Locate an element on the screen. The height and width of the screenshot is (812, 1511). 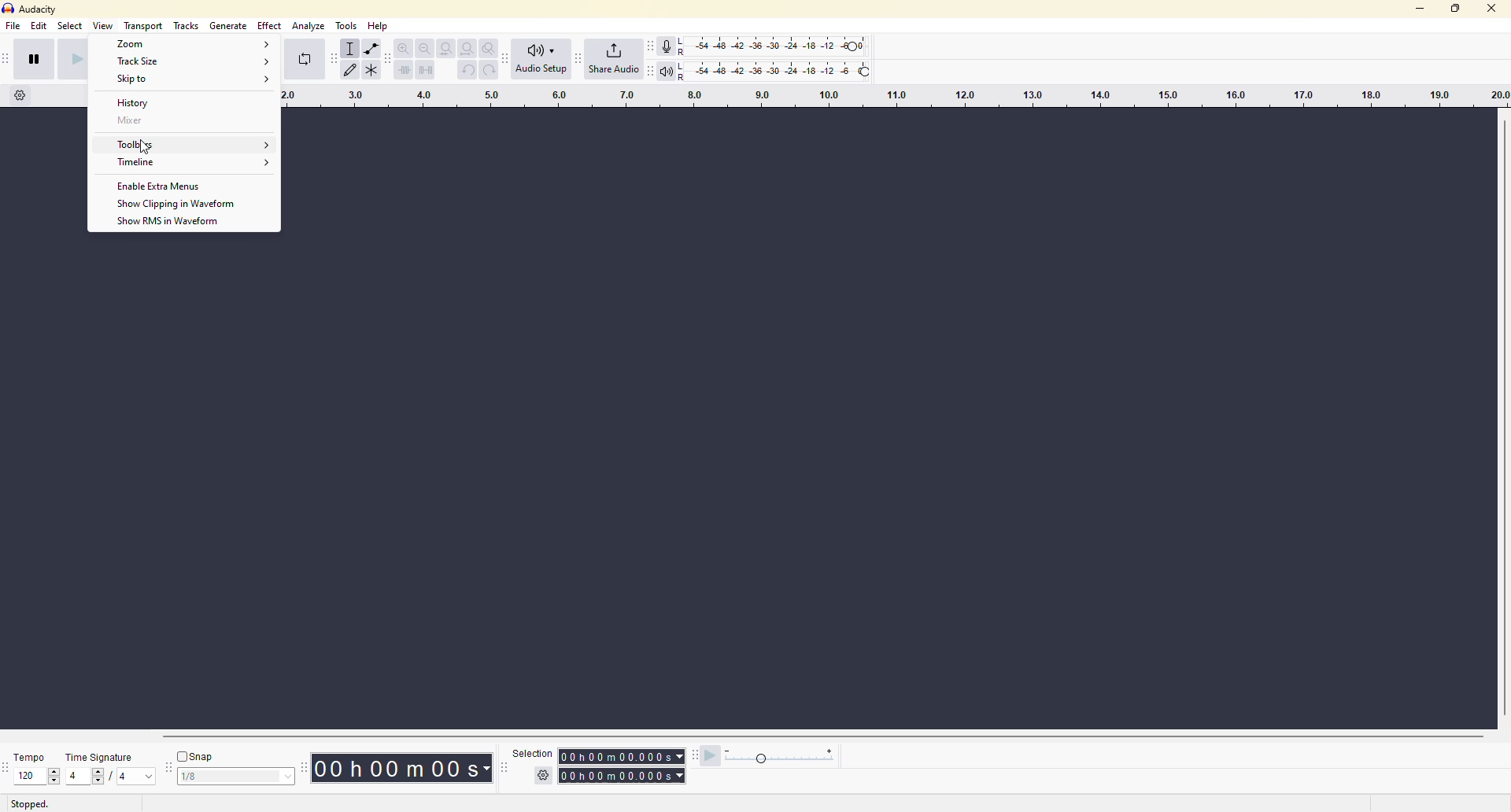
snap is located at coordinates (194, 755).